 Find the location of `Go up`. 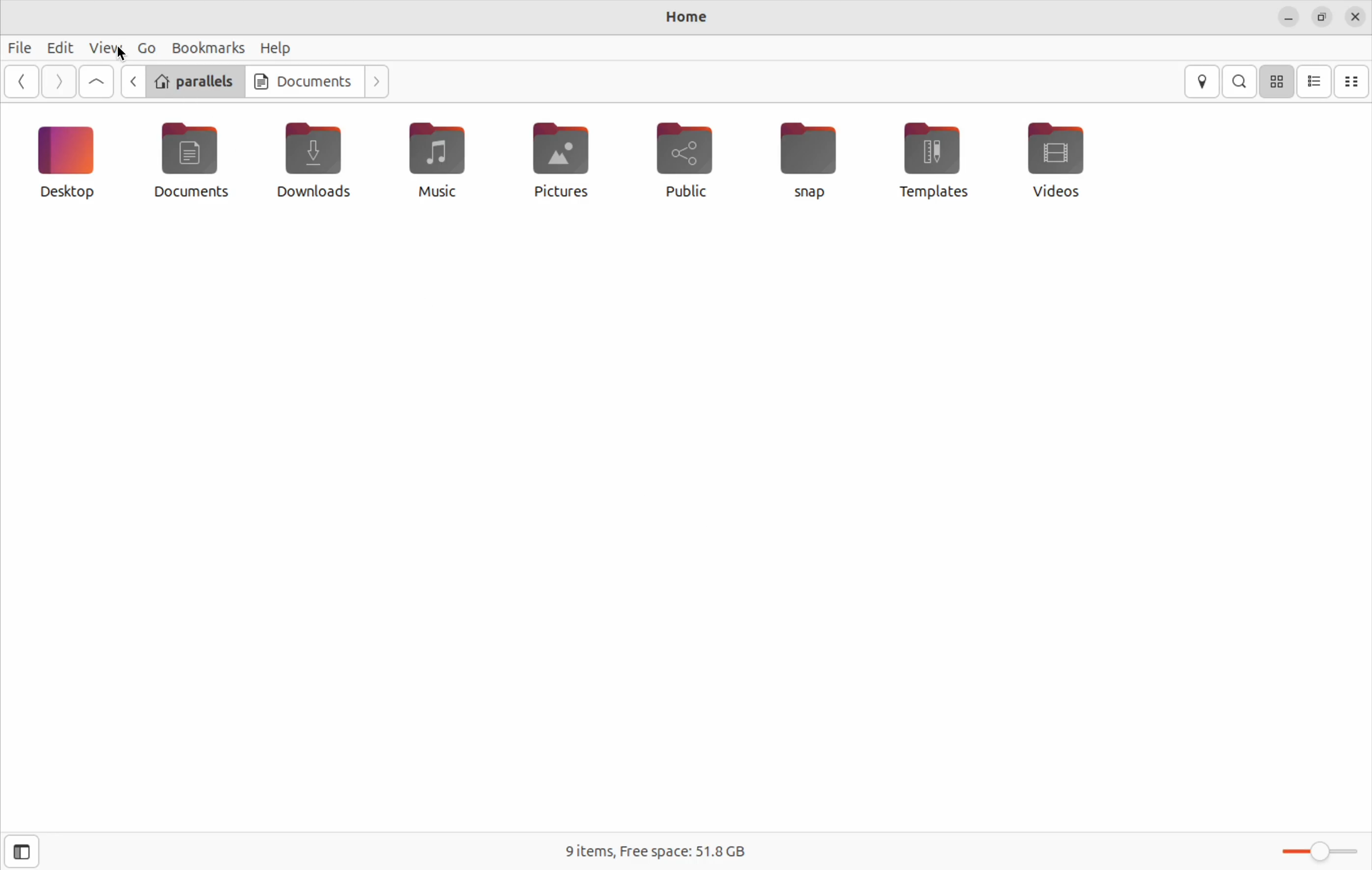

Go up is located at coordinates (96, 82).